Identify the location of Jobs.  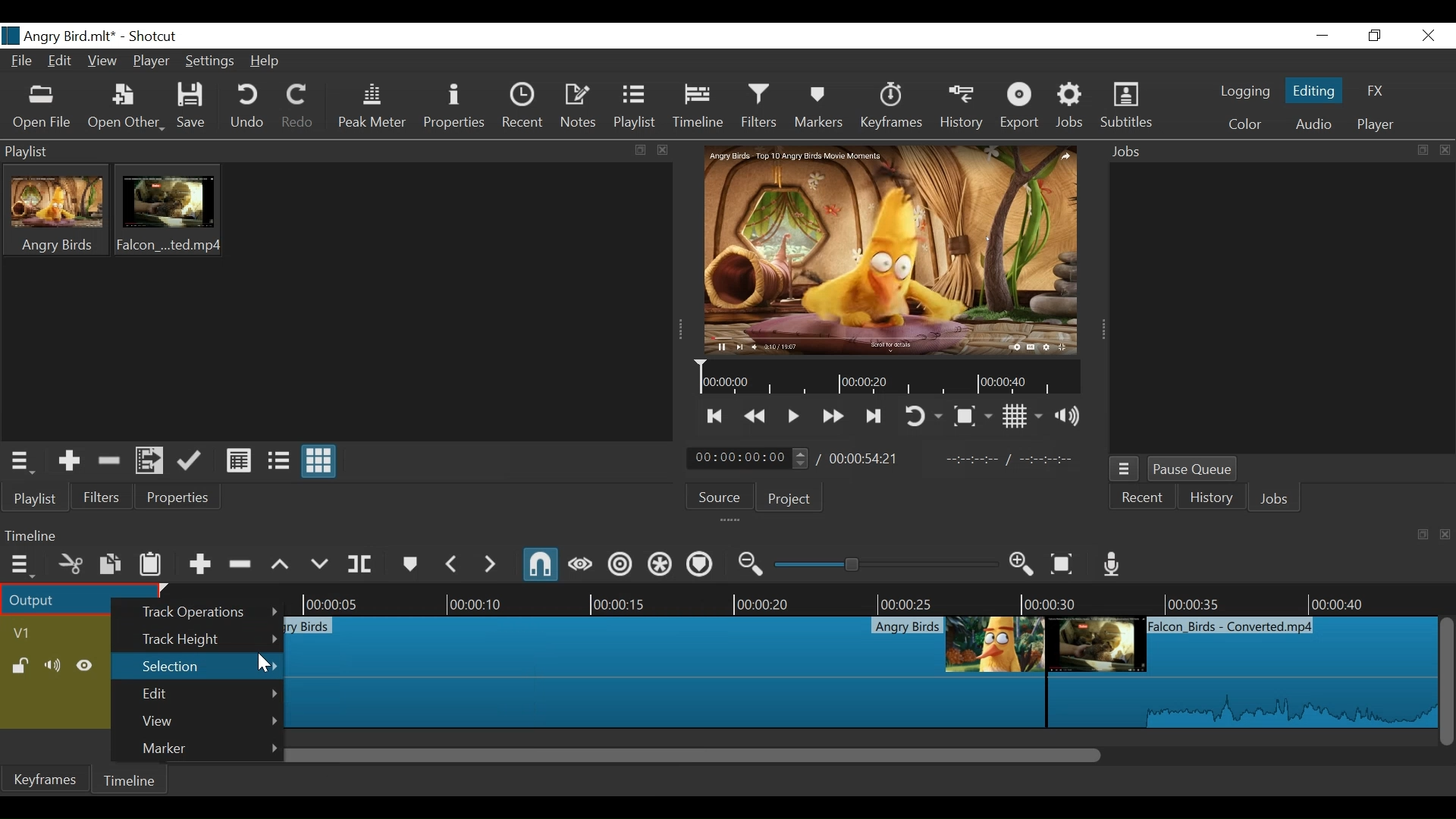
(1071, 108).